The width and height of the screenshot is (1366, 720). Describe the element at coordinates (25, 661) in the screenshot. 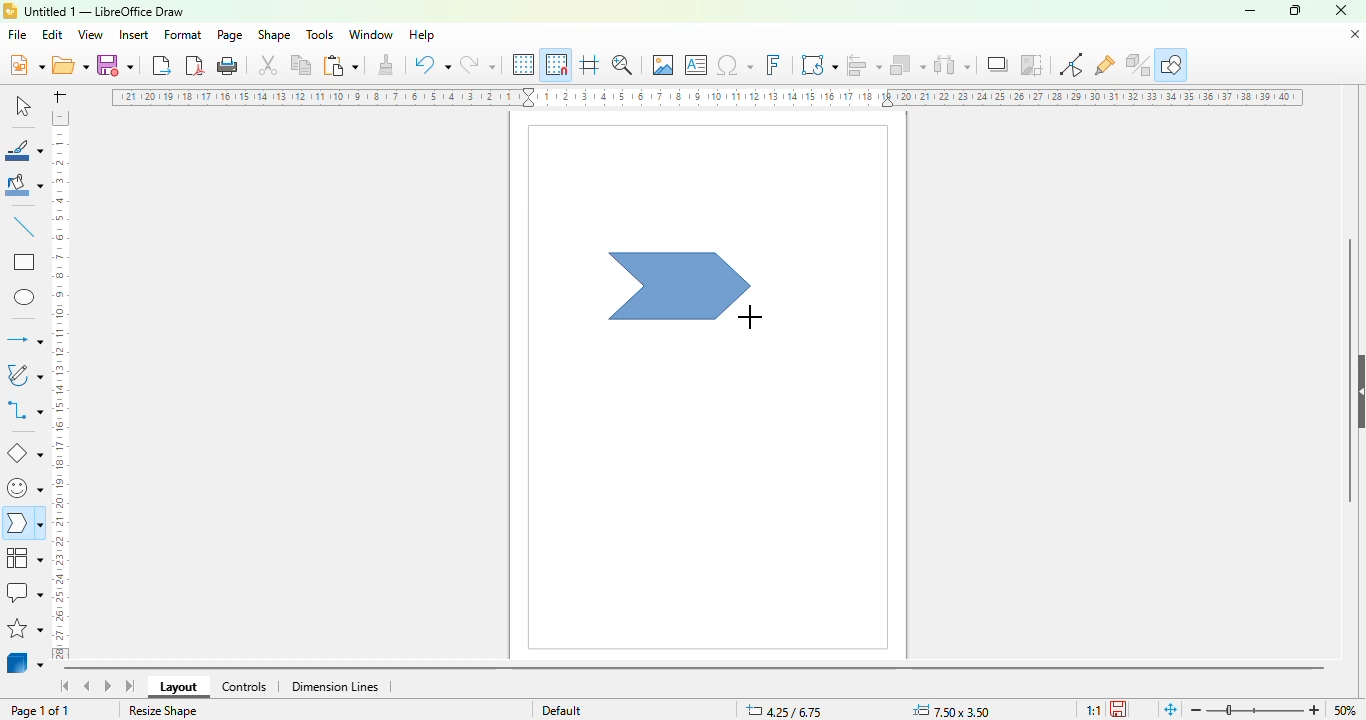

I see `3D objects` at that location.